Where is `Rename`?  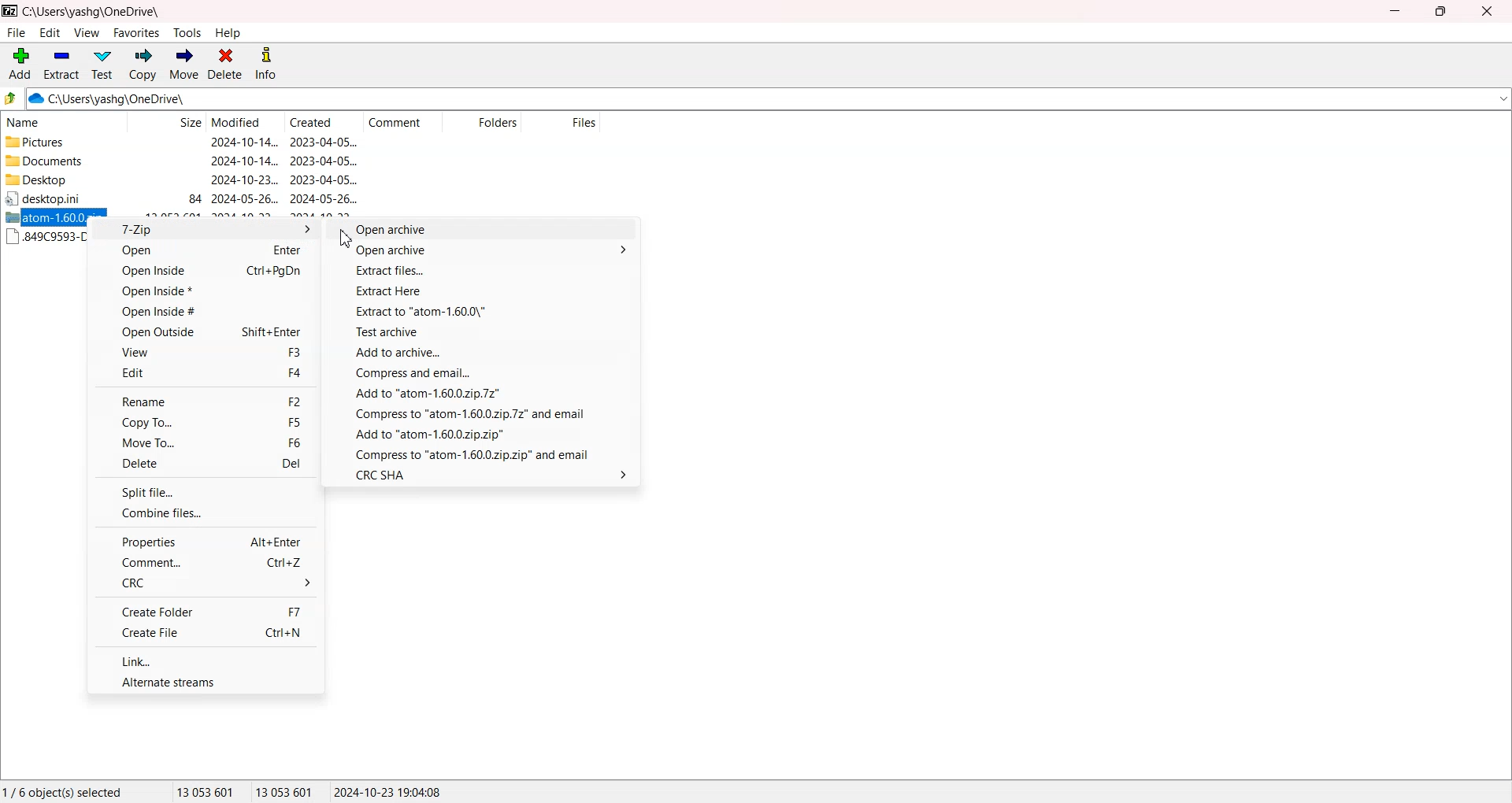 Rename is located at coordinates (205, 401).